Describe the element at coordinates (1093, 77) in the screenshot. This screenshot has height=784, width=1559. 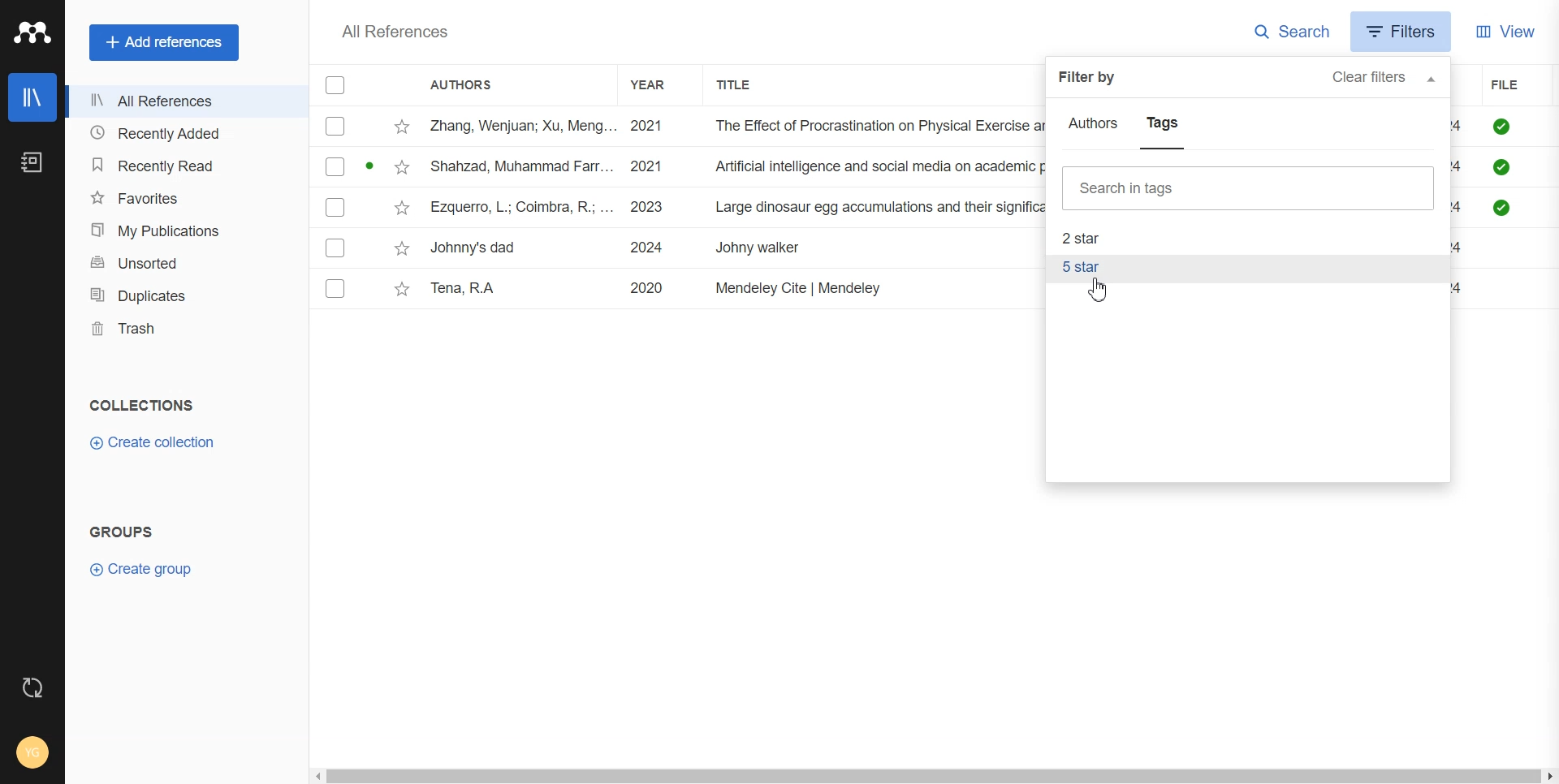
I see `Filter by` at that location.